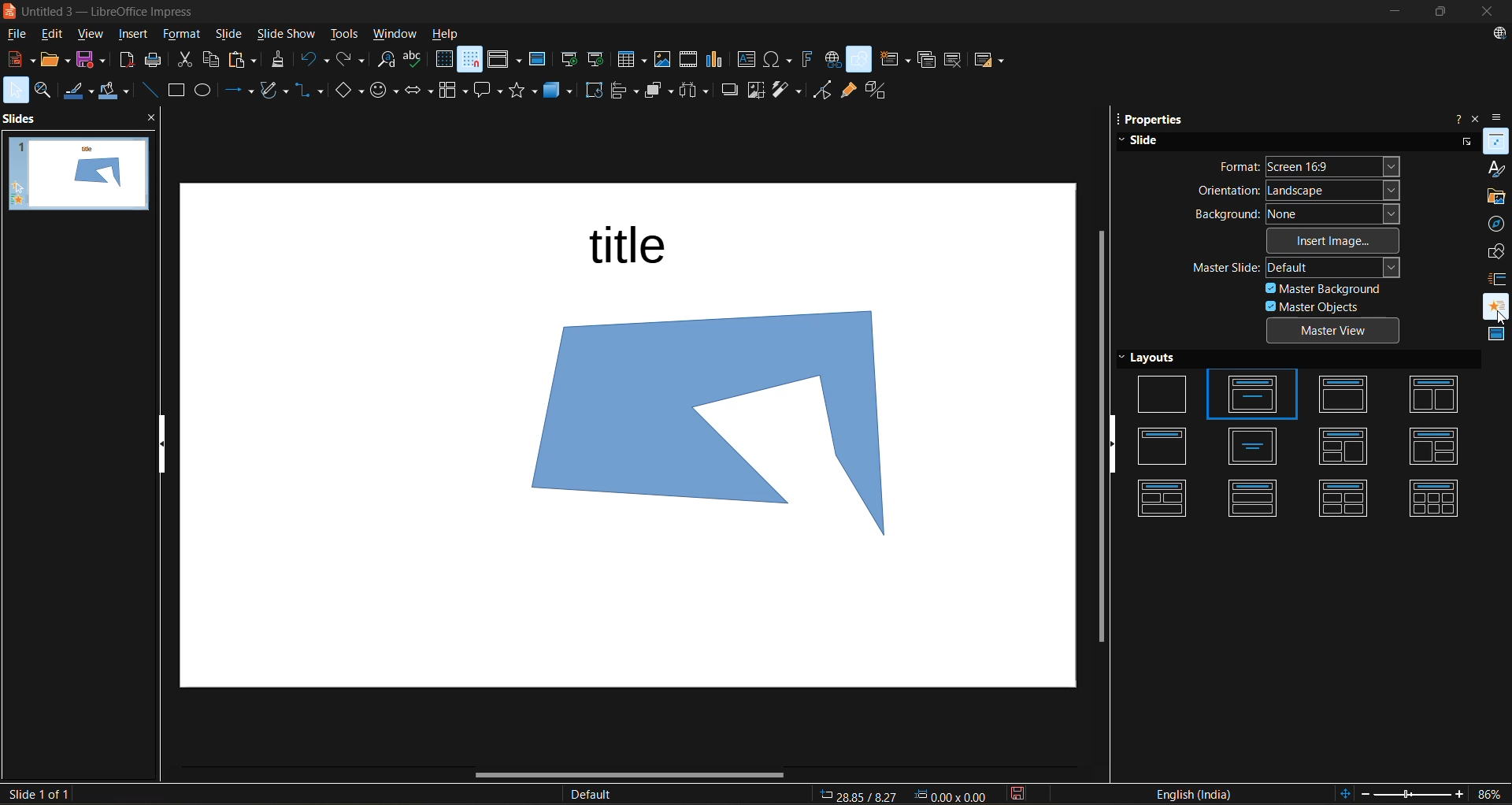 The height and width of the screenshot is (805, 1512). What do you see at coordinates (731, 90) in the screenshot?
I see `shadow` at bounding box center [731, 90].